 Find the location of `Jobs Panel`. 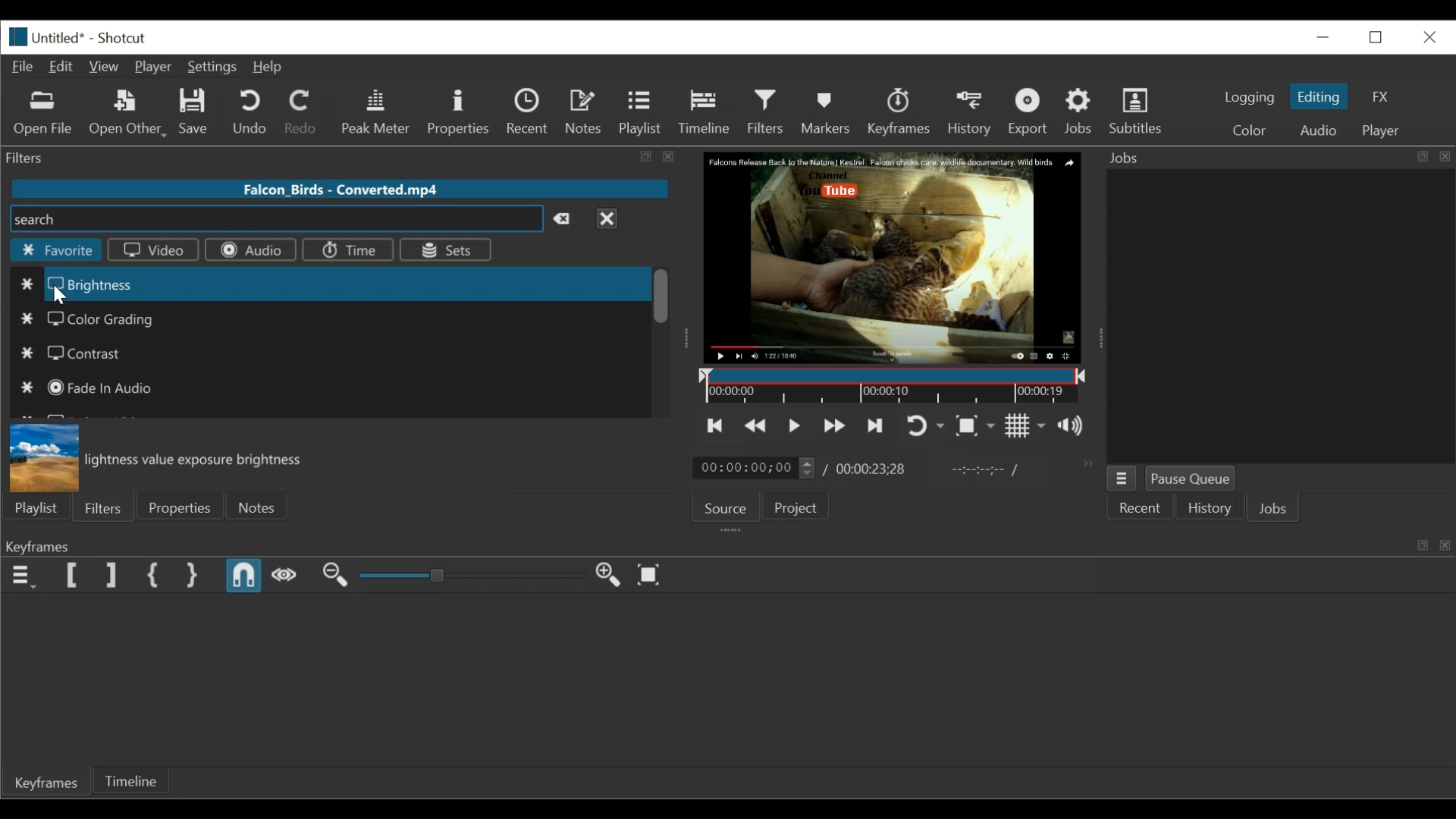

Jobs Panel is located at coordinates (1276, 158).